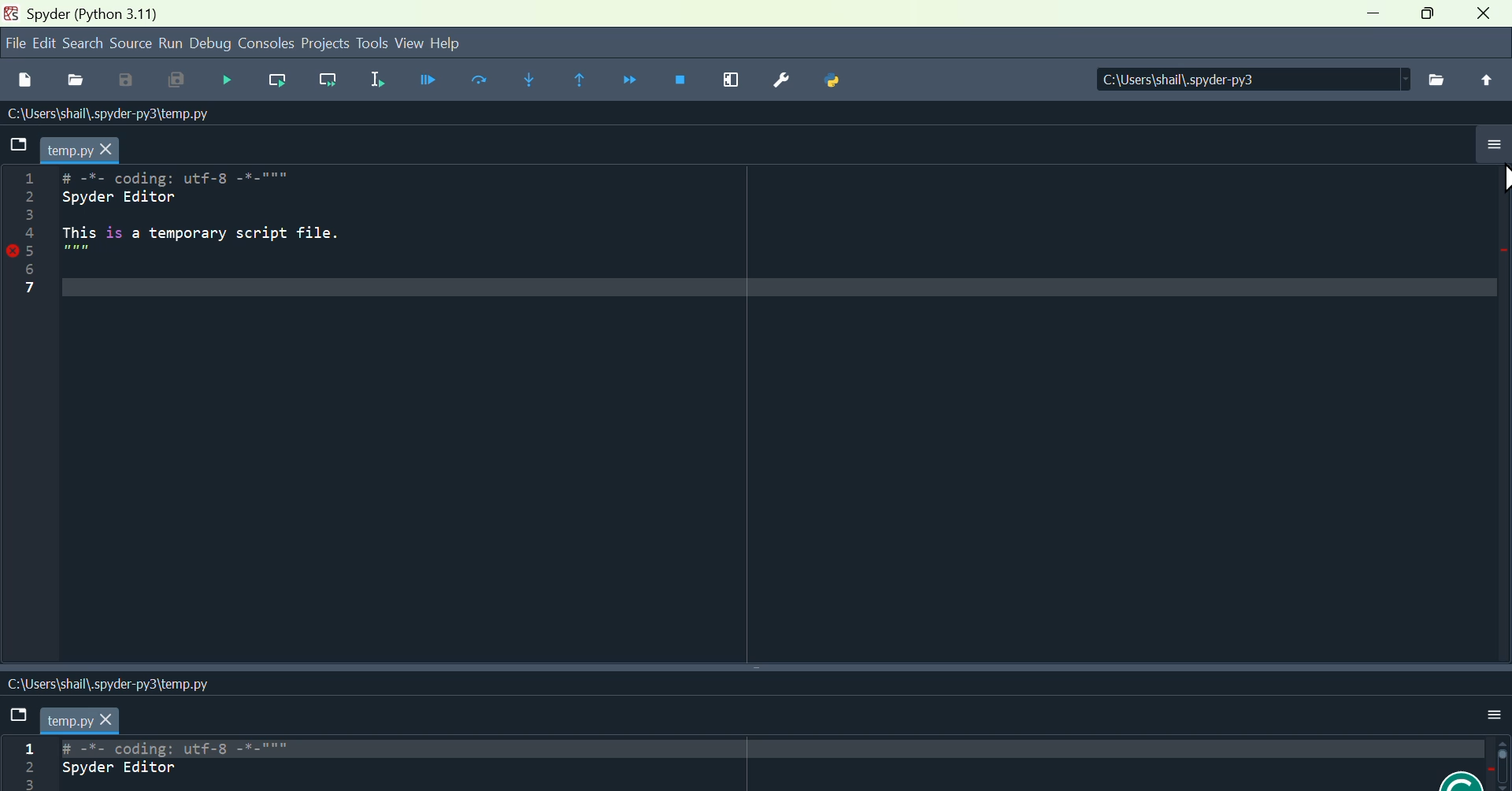 The image size is (1512, 791). I want to click on Run file, so click(426, 84).